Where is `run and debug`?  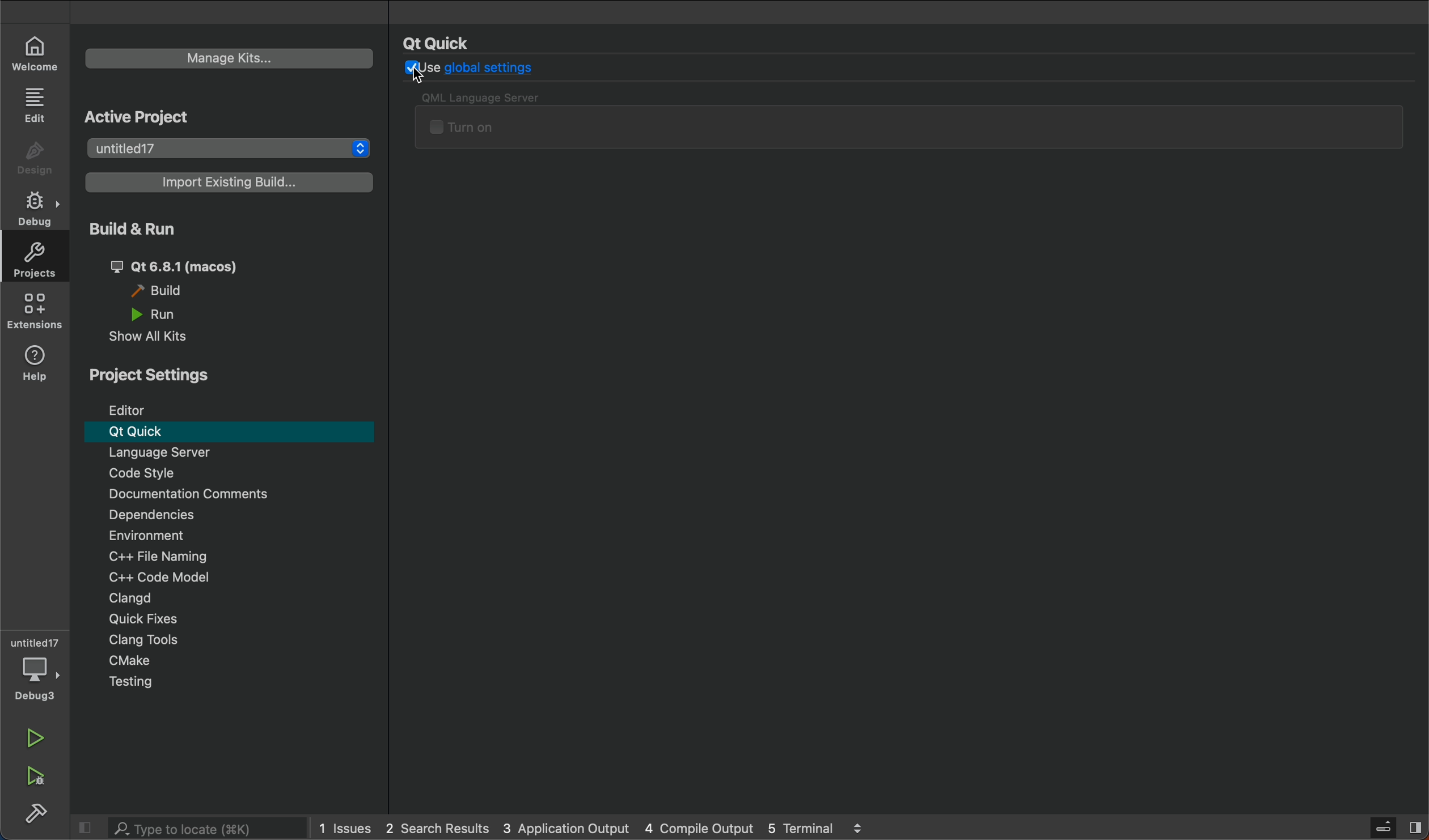
run and debug is located at coordinates (38, 779).